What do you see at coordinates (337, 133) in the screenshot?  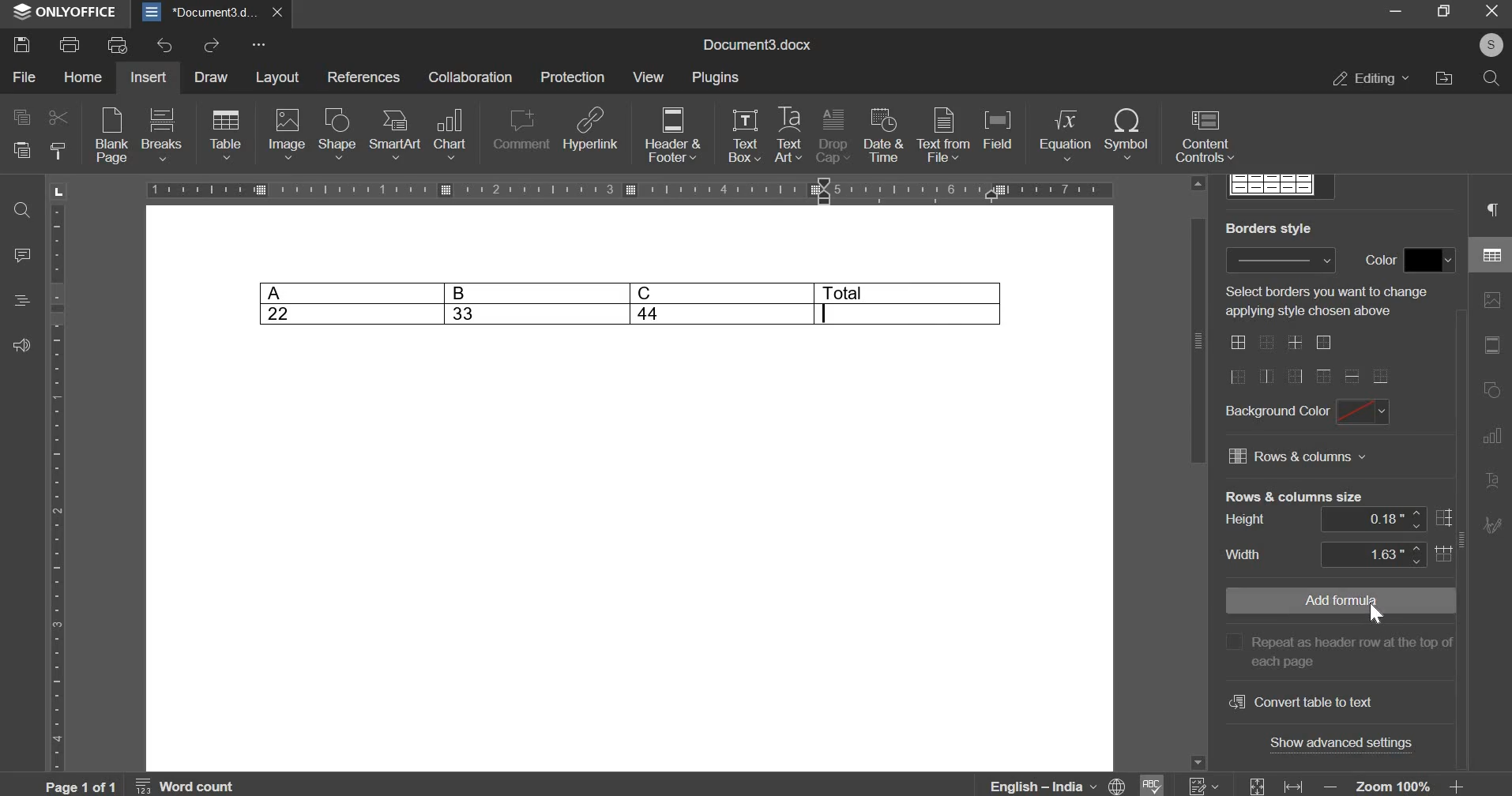 I see `shape` at bounding box center [337, 133].